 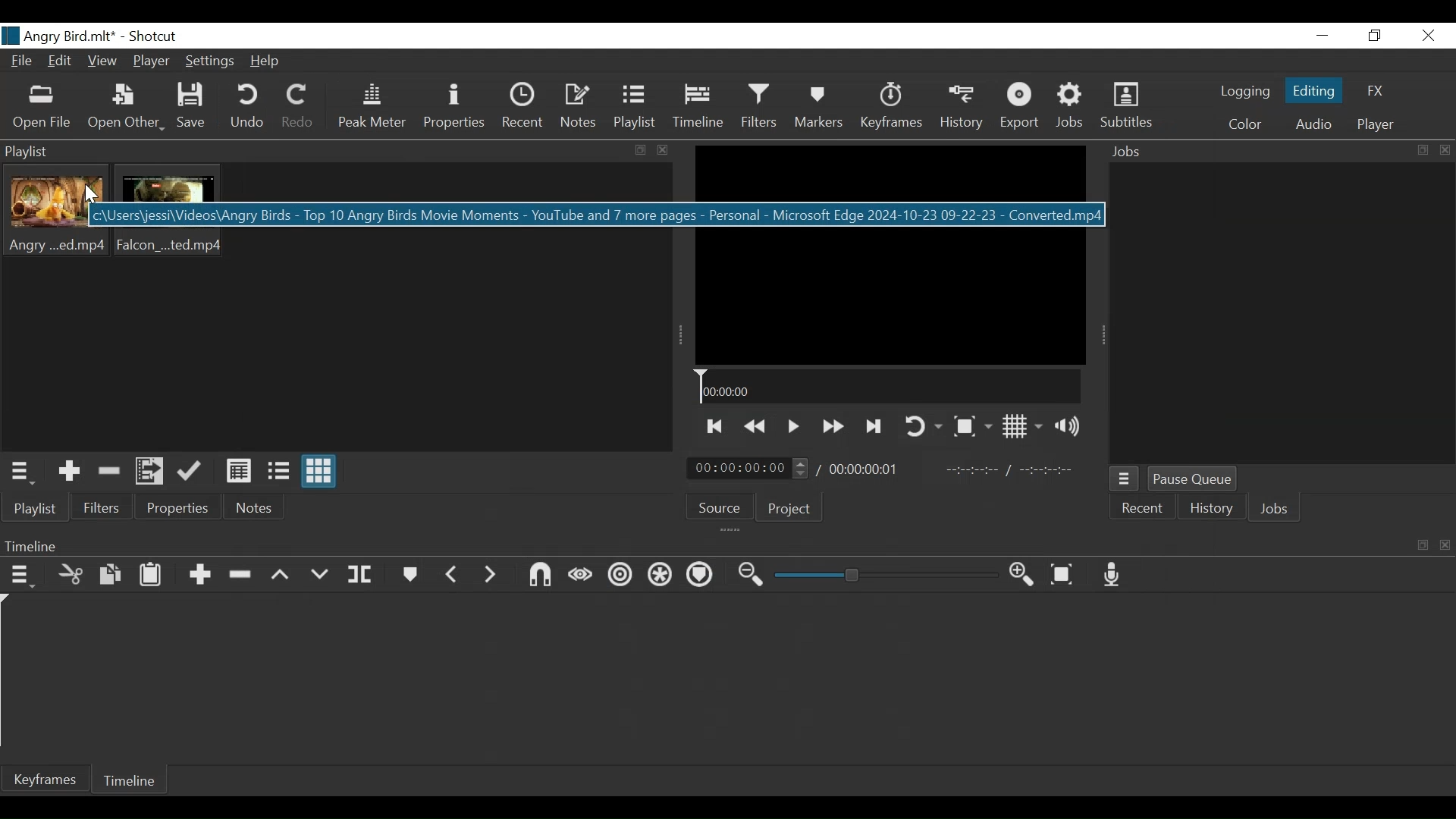 What do you see at coordinates (93, 196) in the screenshot?
I see `Cursor` at bounding box center [93, 196].